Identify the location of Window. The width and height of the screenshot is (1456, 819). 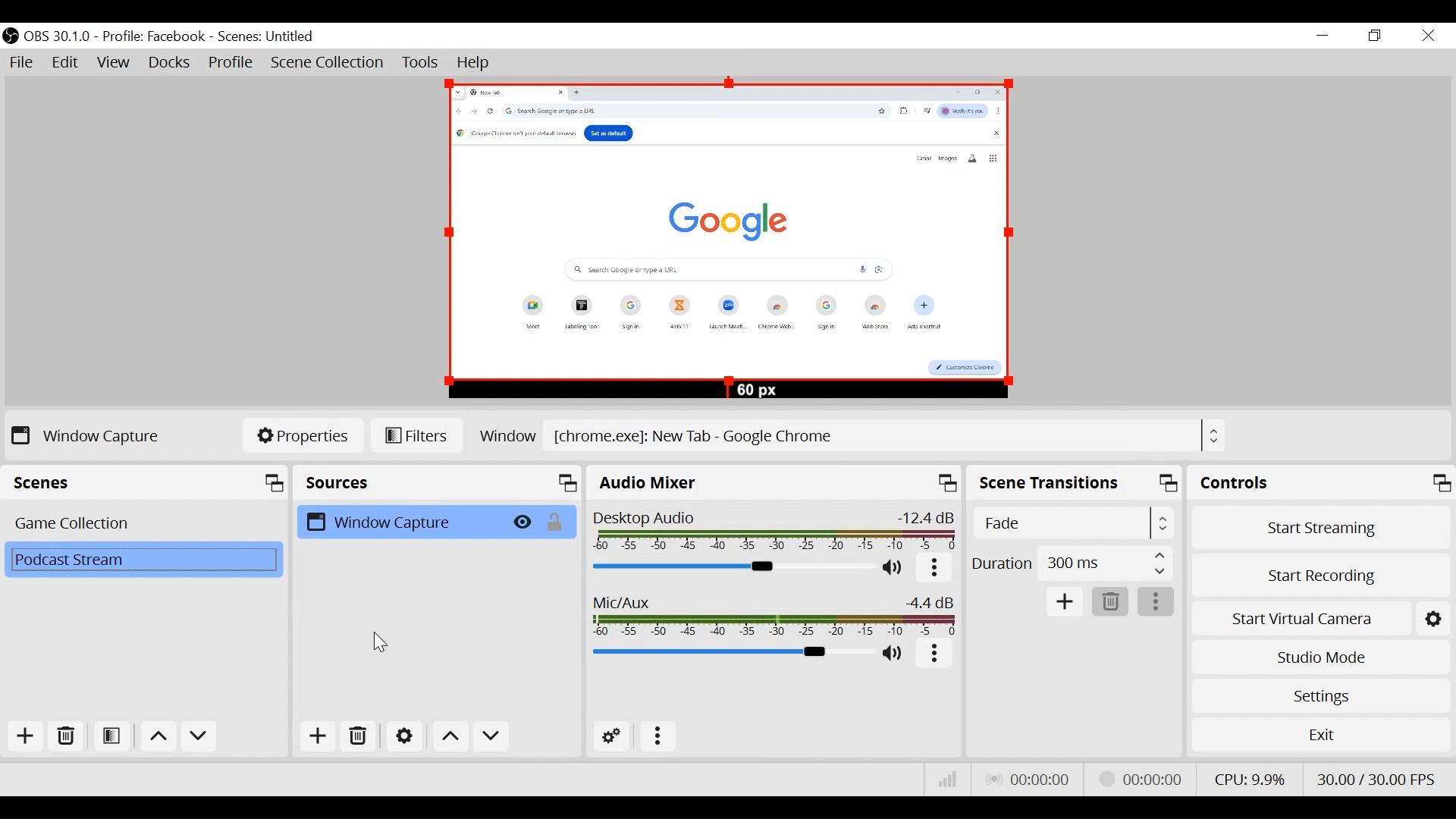
(849, 435).